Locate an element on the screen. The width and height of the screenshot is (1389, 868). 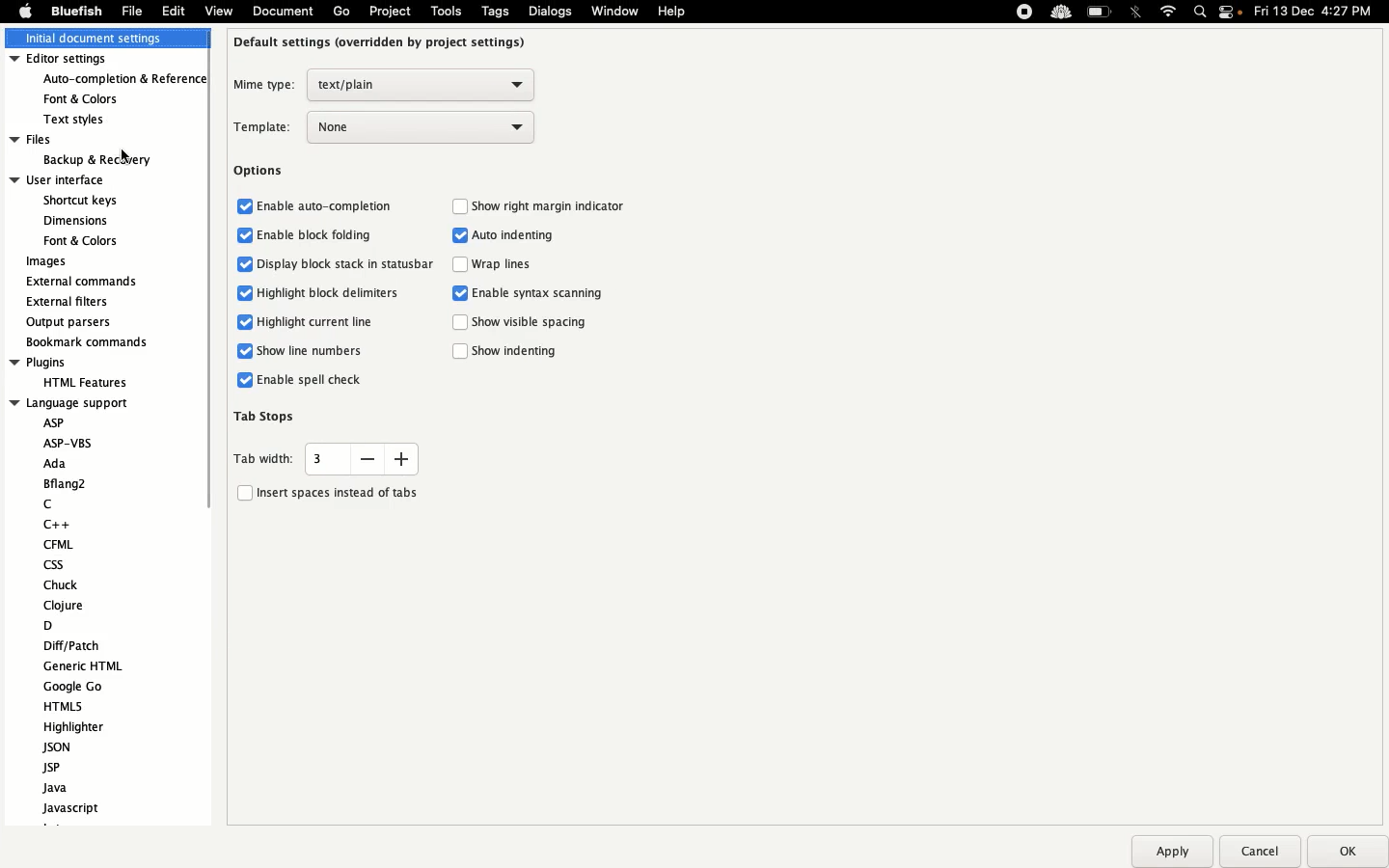
Editor settings is located at coordinates (108, 89).